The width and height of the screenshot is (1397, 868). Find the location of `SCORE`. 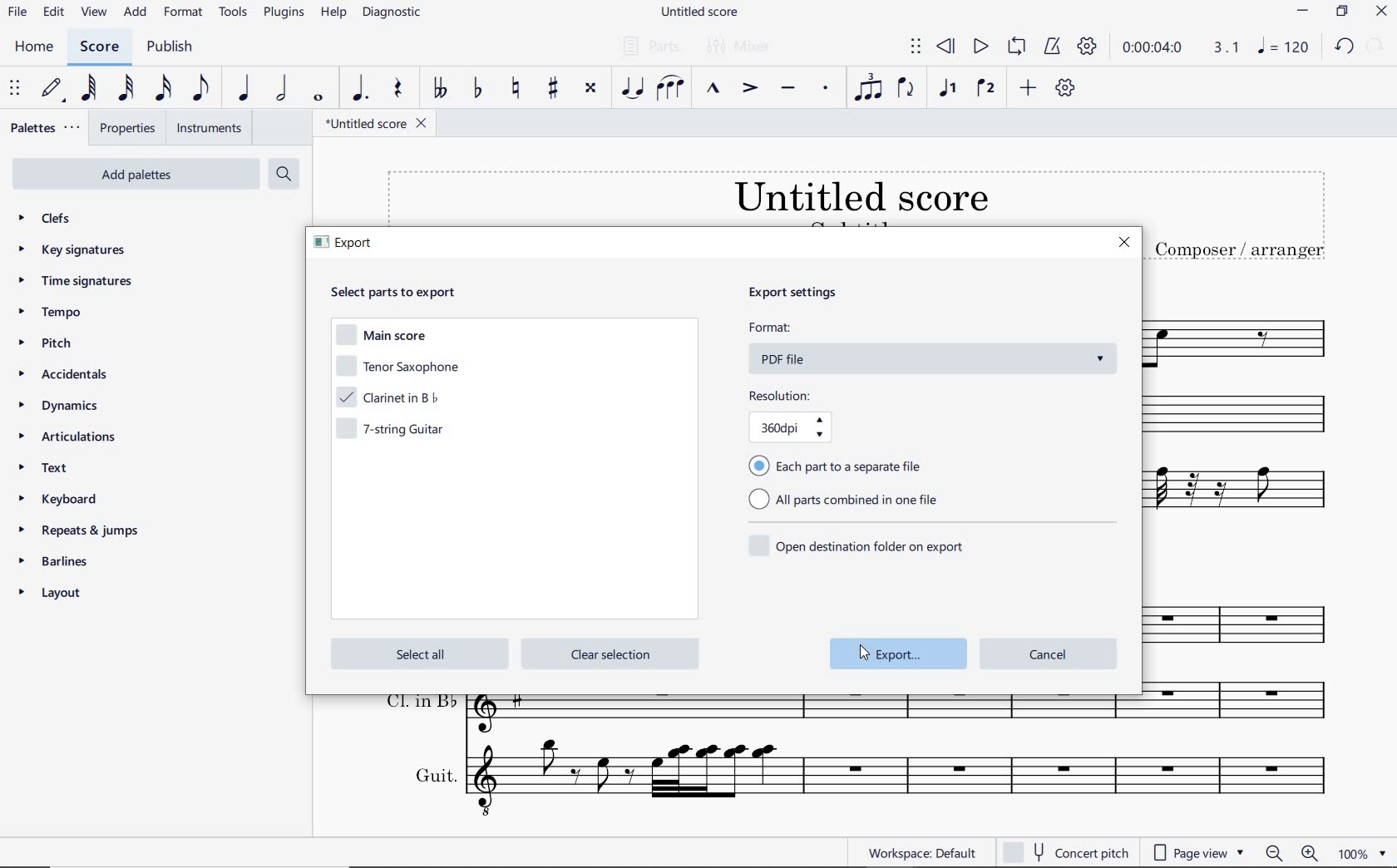

SCORE is located at coordinates (99, 47).